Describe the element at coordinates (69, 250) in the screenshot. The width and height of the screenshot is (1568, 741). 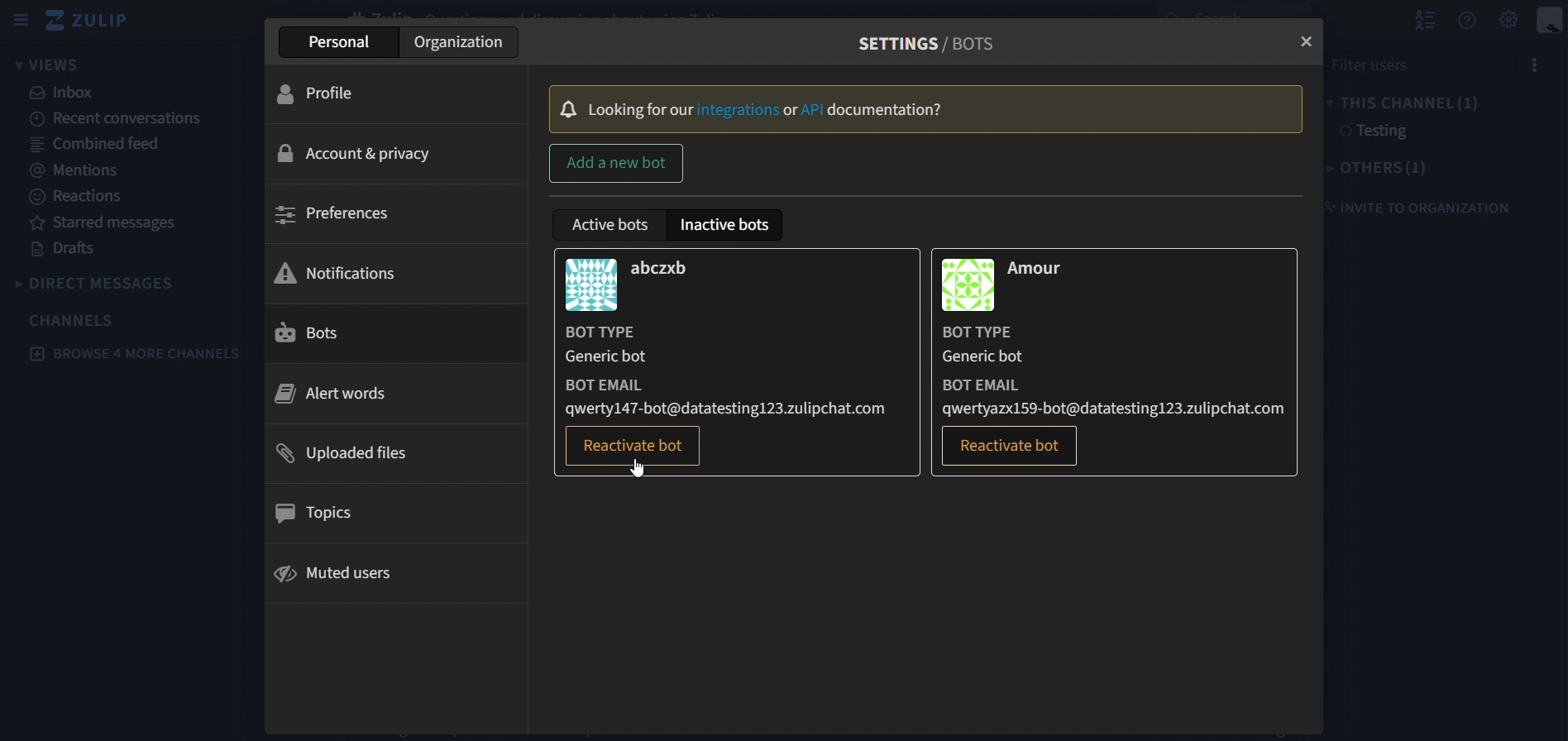
I see `drafts` at that location.